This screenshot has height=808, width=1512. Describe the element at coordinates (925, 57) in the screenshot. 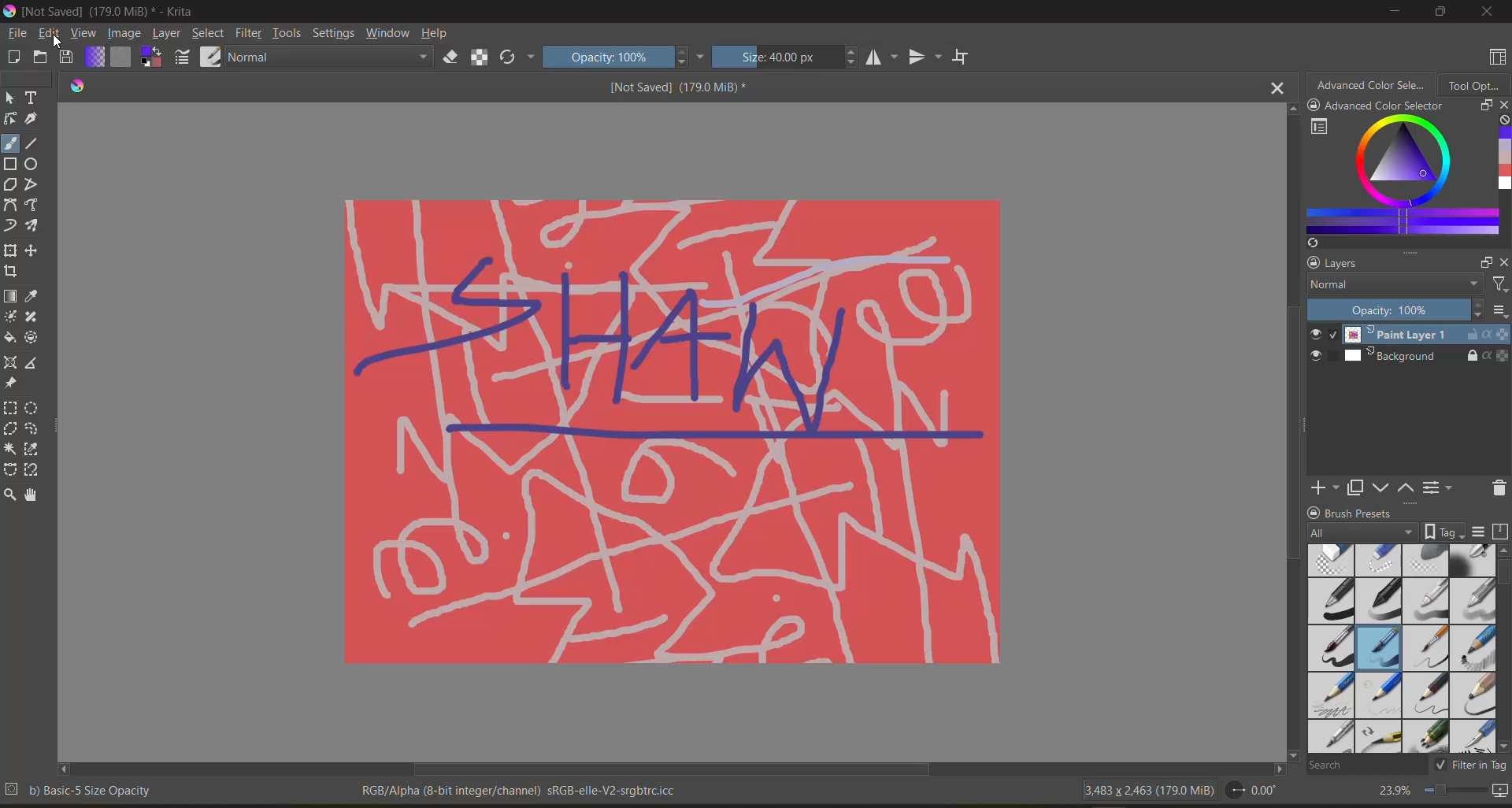

I see `flip vertically` at that location.